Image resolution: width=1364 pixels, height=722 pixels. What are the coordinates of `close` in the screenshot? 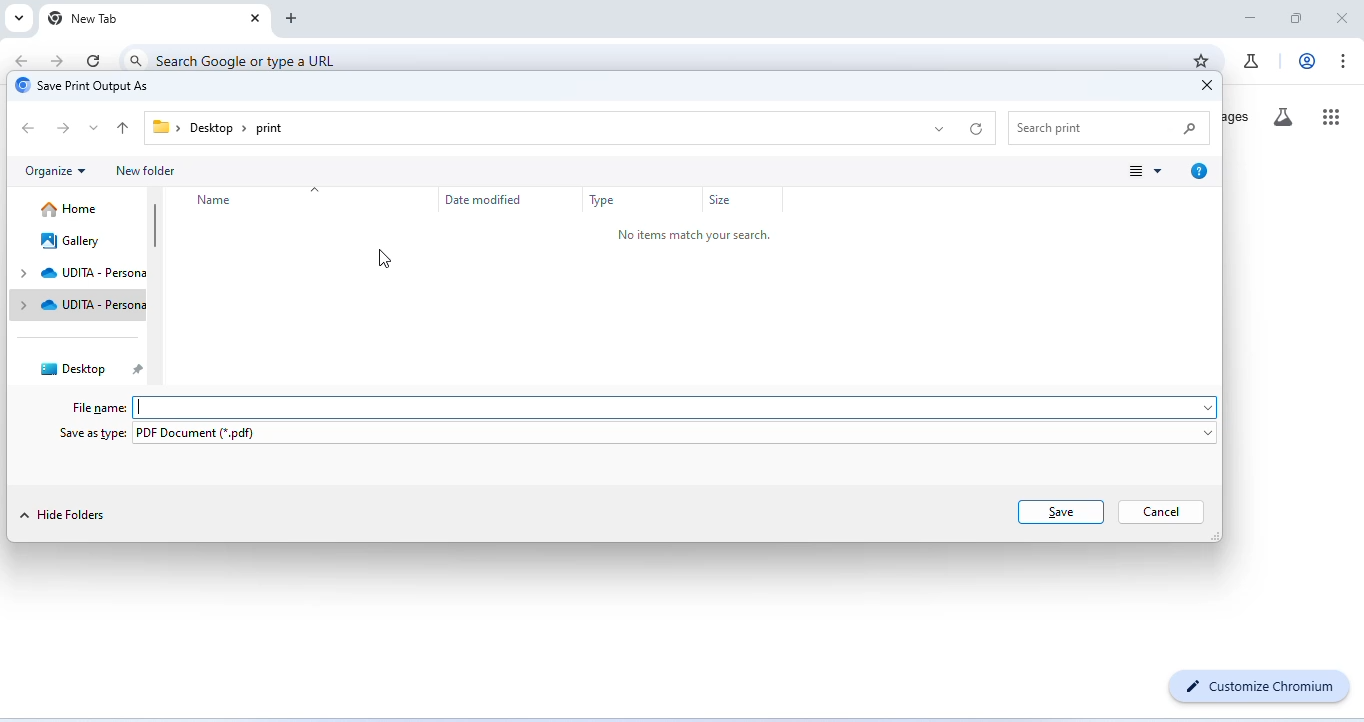 It's located at (1201, 86).